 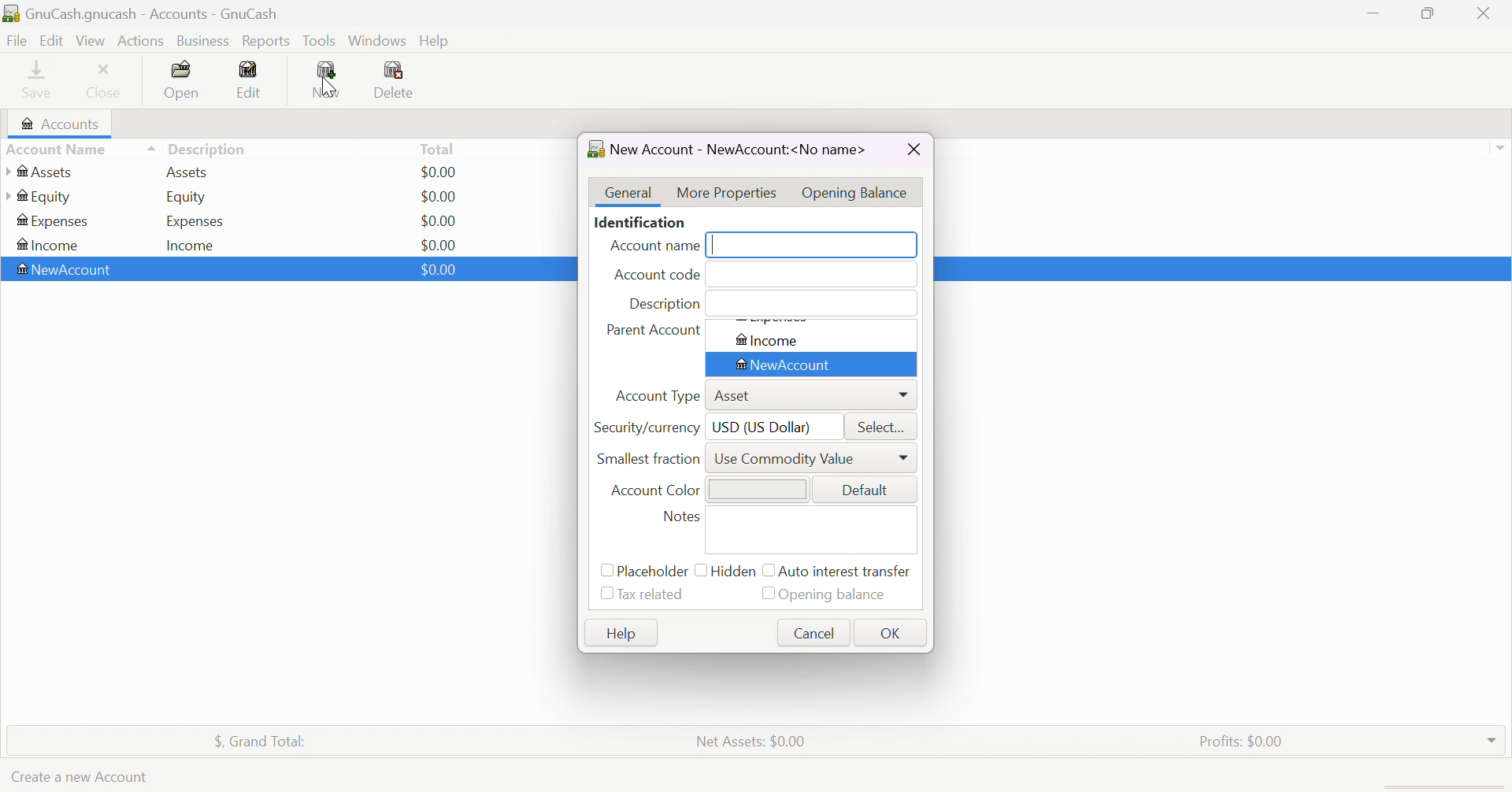 What do you see at coordinates (1485, 13) in the screenshot?
I see `Close` at bounding box center [1485, 13].